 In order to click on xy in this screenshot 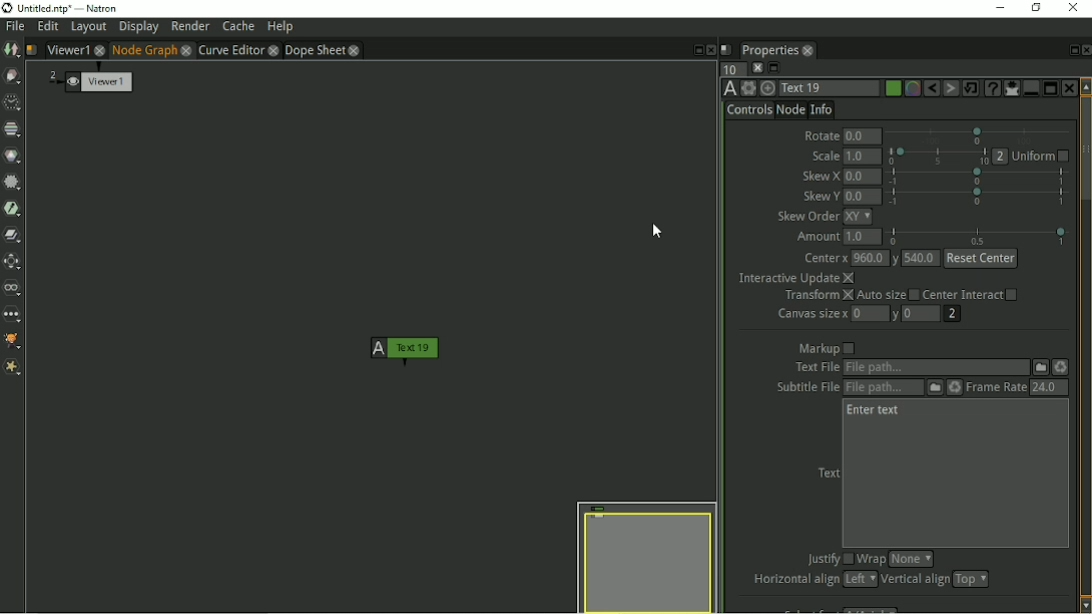, I will do `click(858, 216)`.